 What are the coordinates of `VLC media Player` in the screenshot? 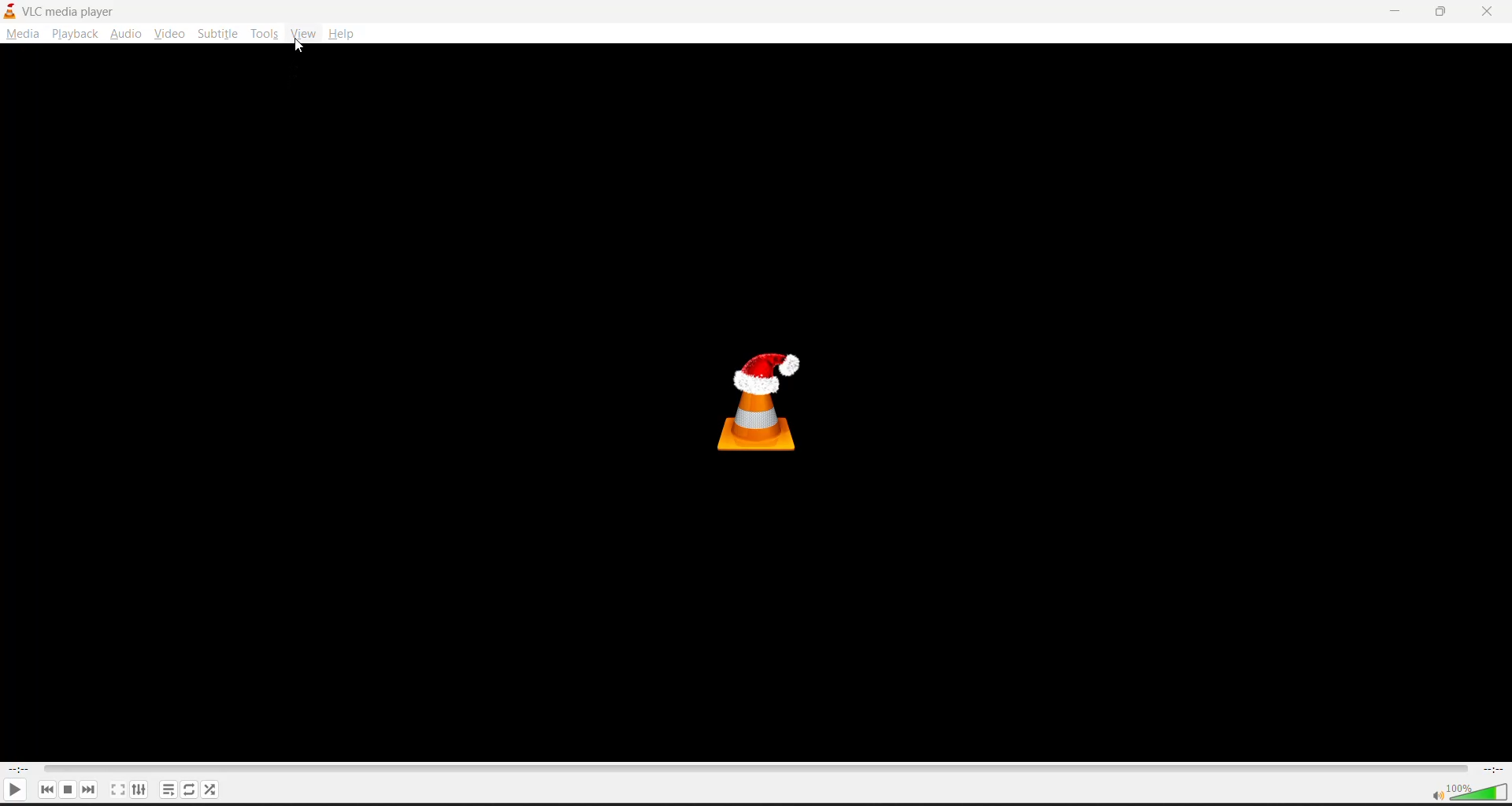 It's located at (83, 13).